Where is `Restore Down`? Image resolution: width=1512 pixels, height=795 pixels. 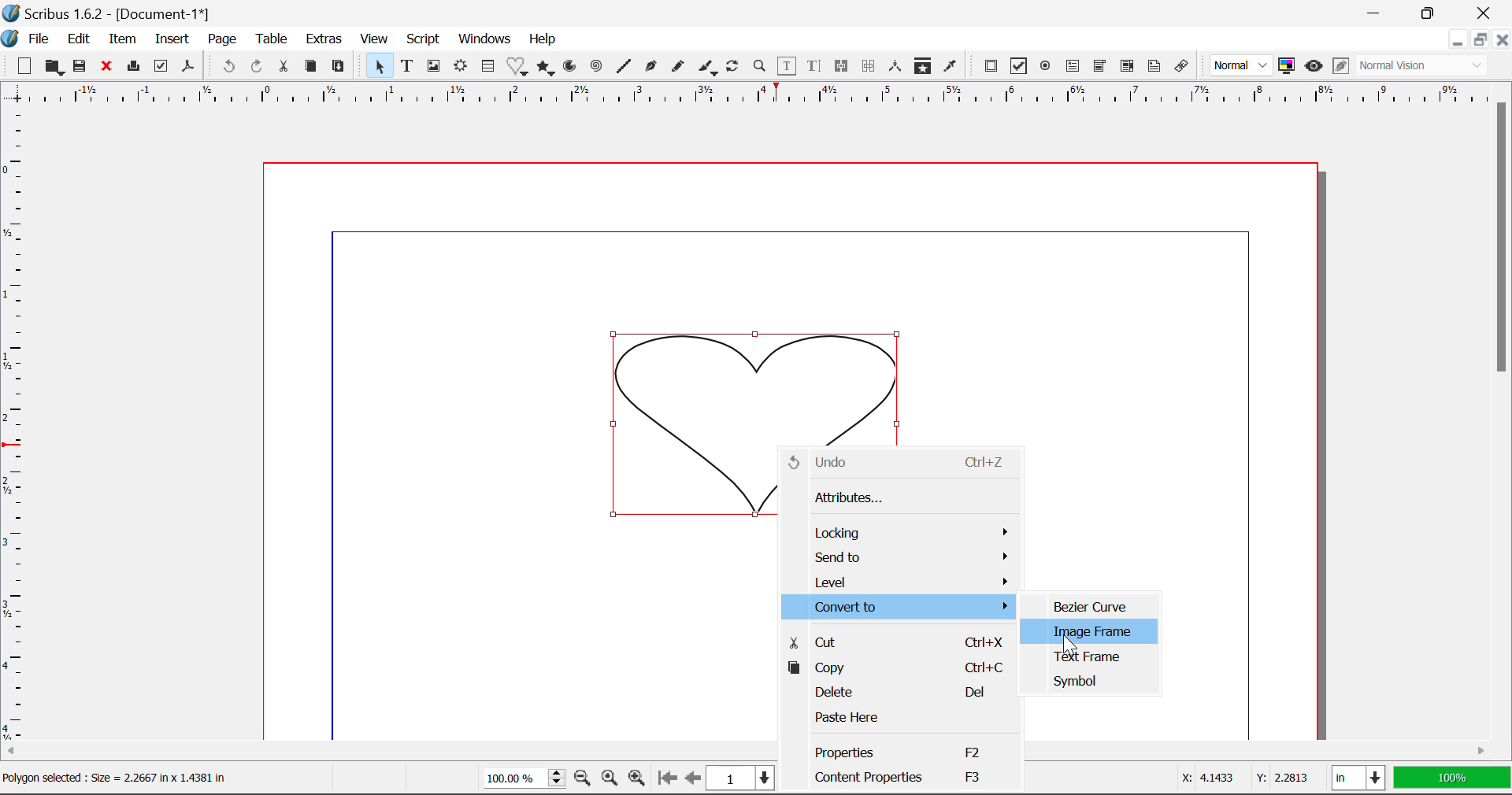
Restore Down is located at coordinates (1459, 42).